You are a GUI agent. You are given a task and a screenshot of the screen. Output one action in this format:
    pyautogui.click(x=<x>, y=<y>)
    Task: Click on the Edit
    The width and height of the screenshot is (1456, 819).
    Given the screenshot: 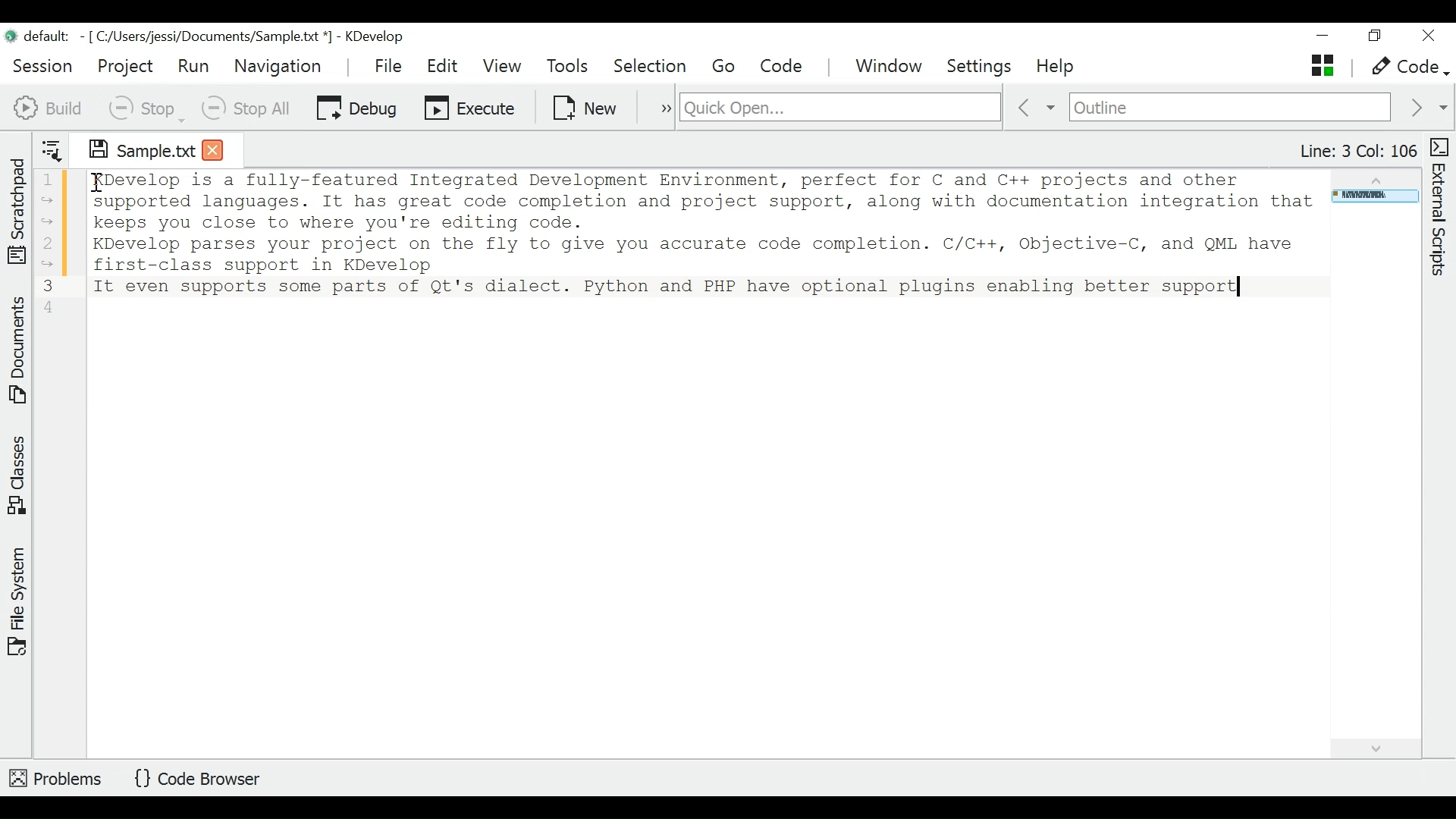 What is the action you would take?
    pyautogui.click(x=444, y=66)
    